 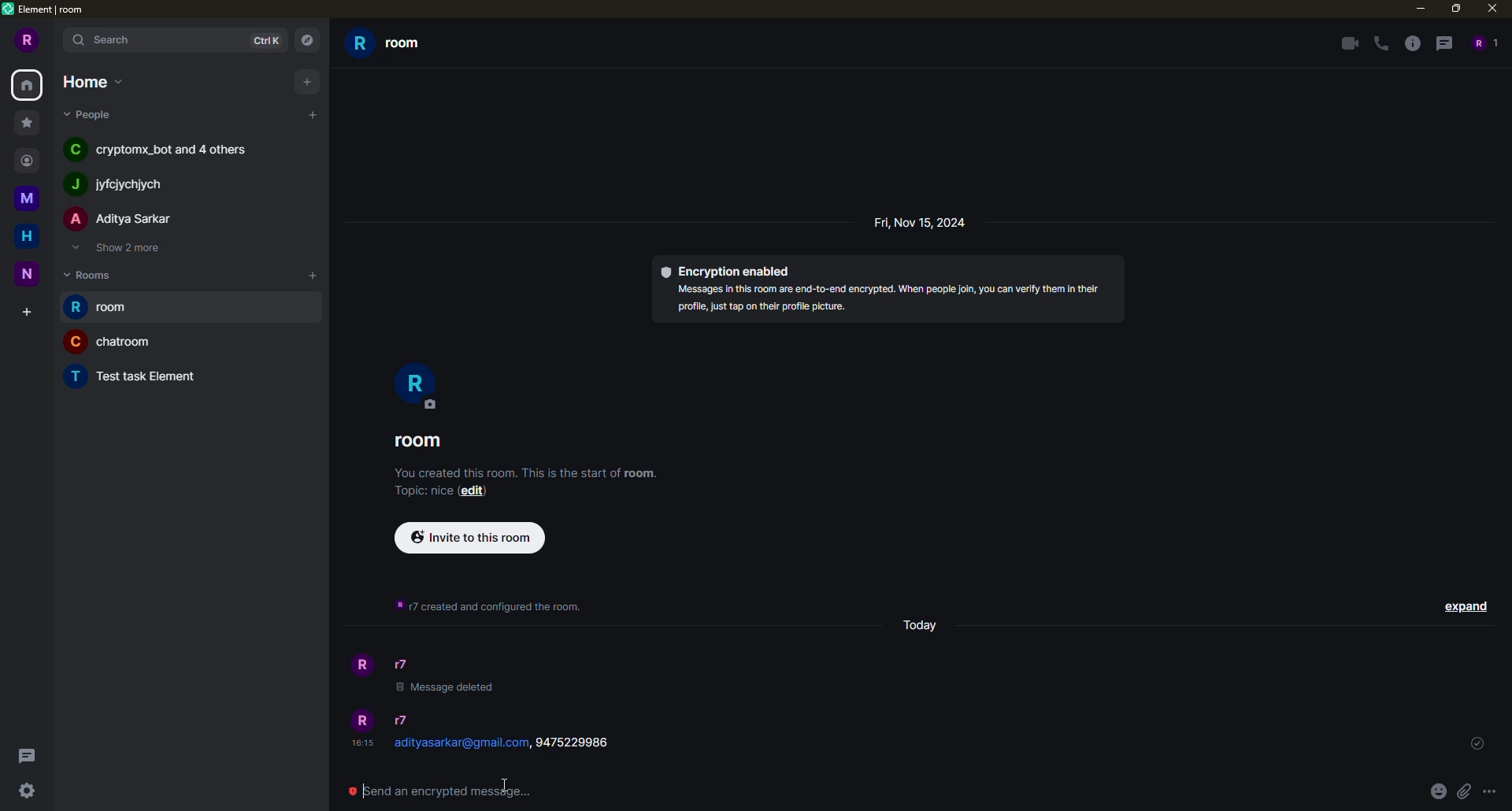 I want to click on home, so click(x=92, y=80).